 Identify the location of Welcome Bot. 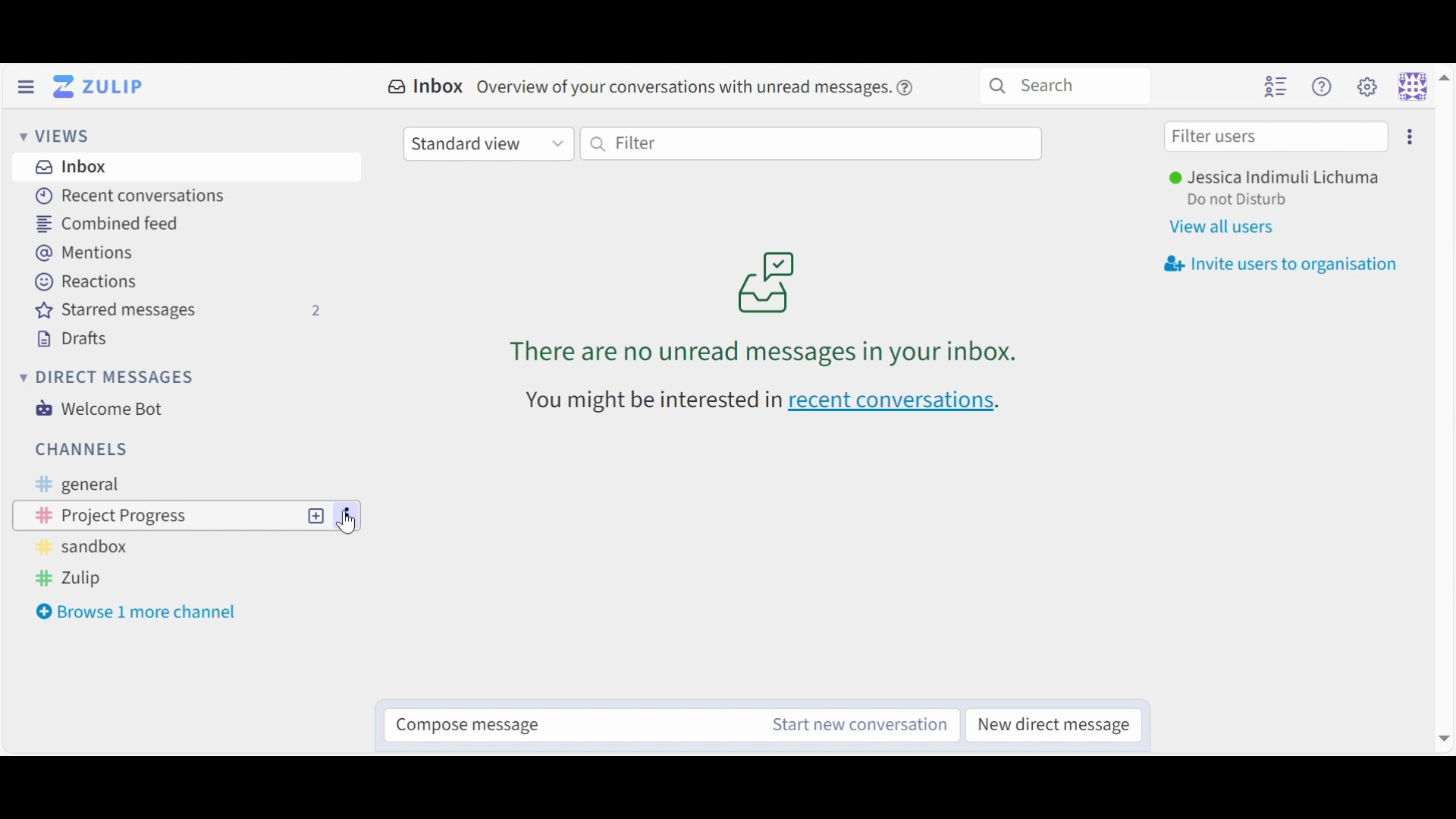
(97, 409).